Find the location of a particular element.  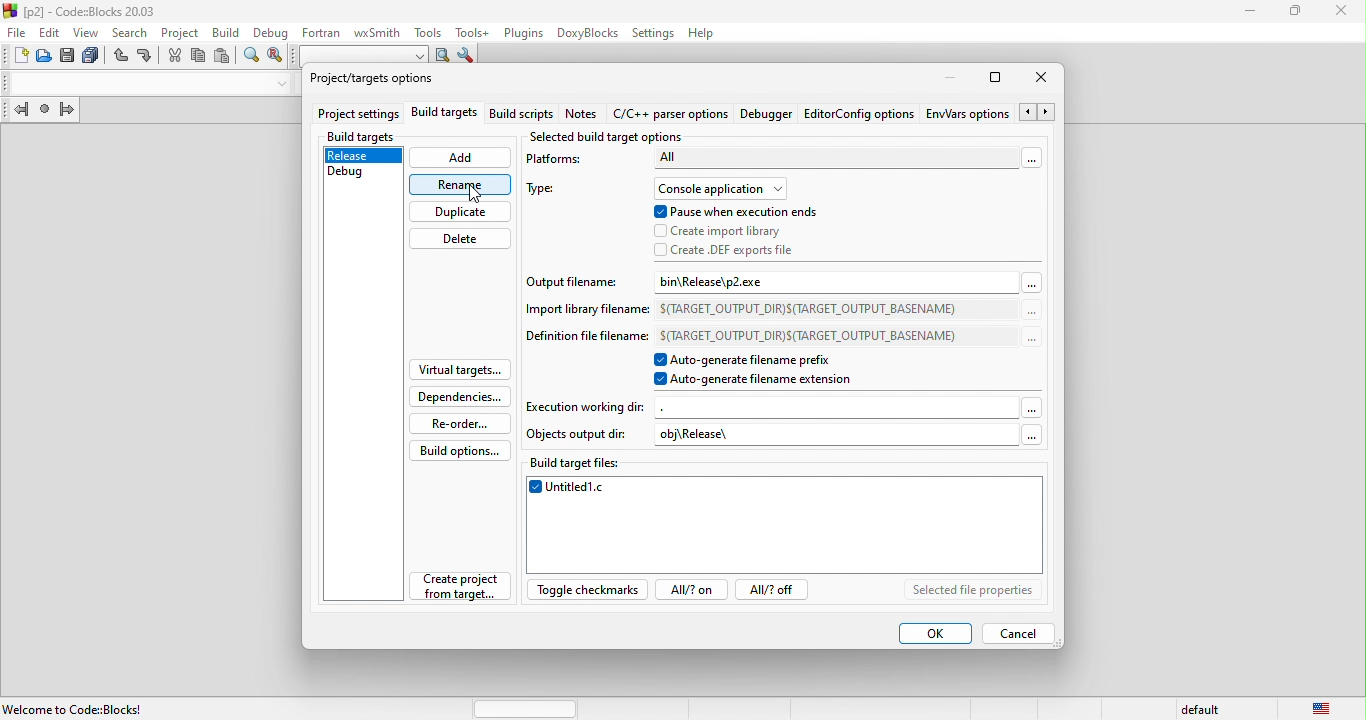

plugins is located at coordinates (521, 33).